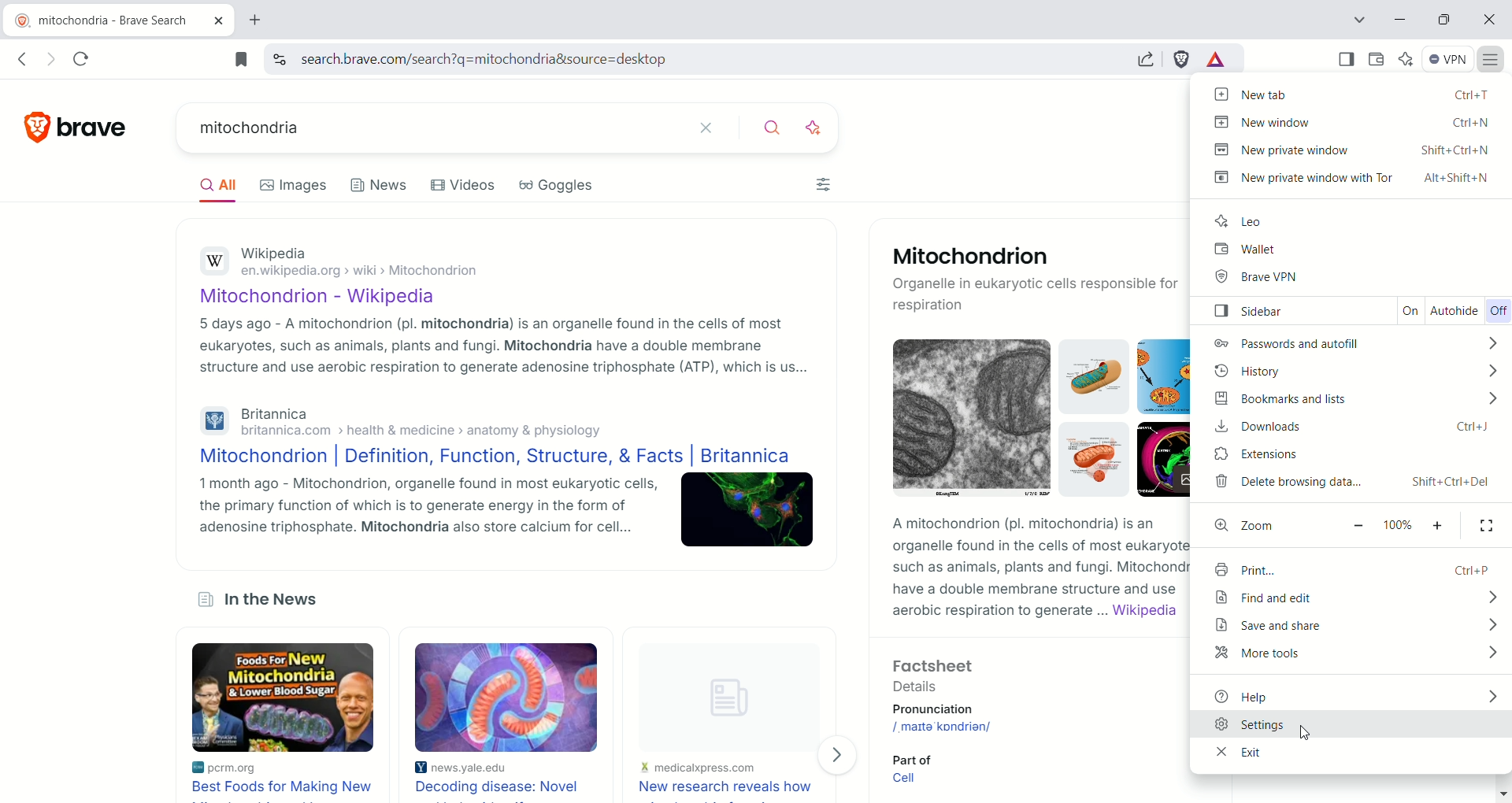 This screenshot has height=803, width=1512. I want to click on mitochondria - brave search, so click(117, 20).